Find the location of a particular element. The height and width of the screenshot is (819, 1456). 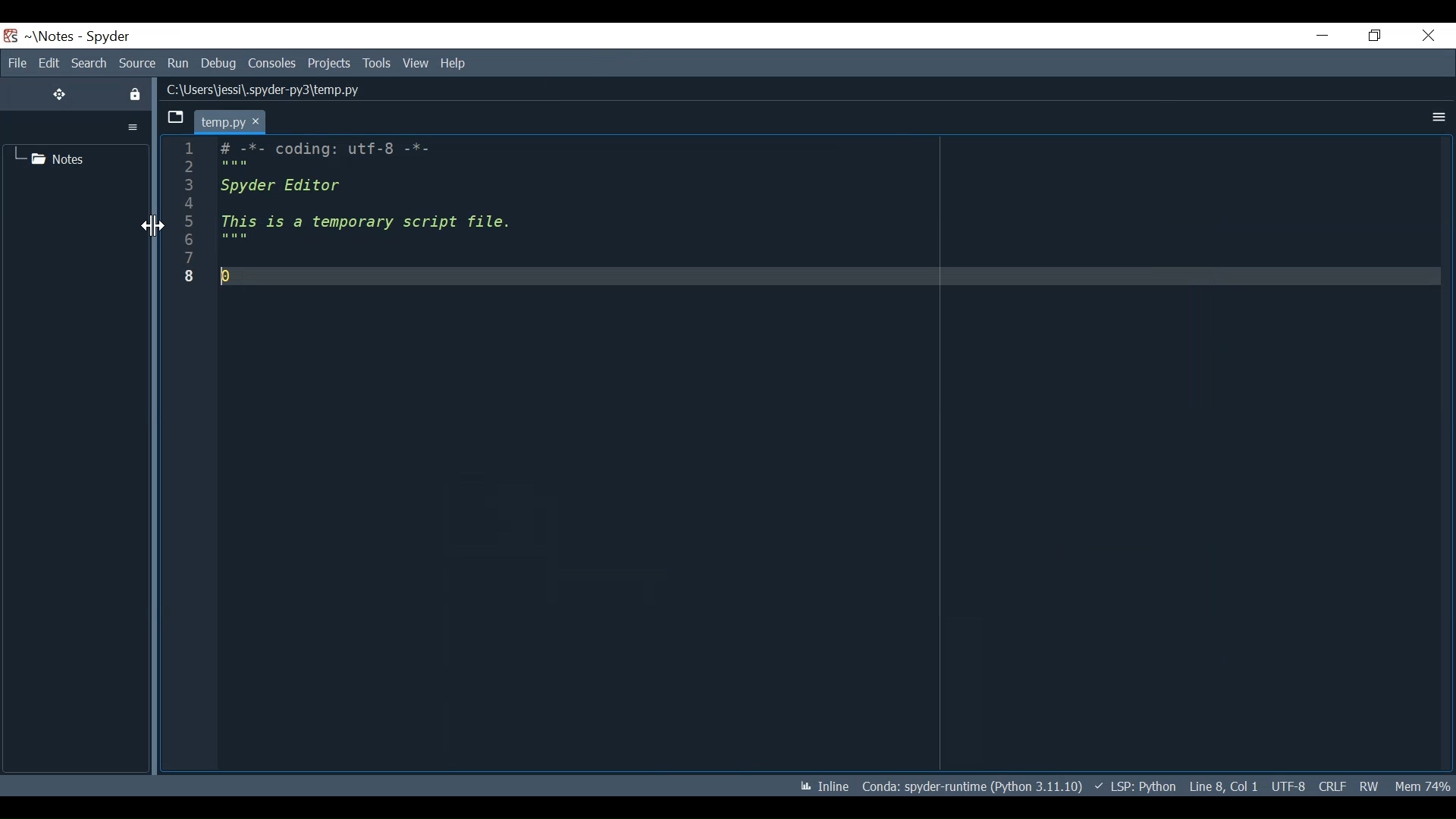

temp.py is located at coordinates (219, 121).